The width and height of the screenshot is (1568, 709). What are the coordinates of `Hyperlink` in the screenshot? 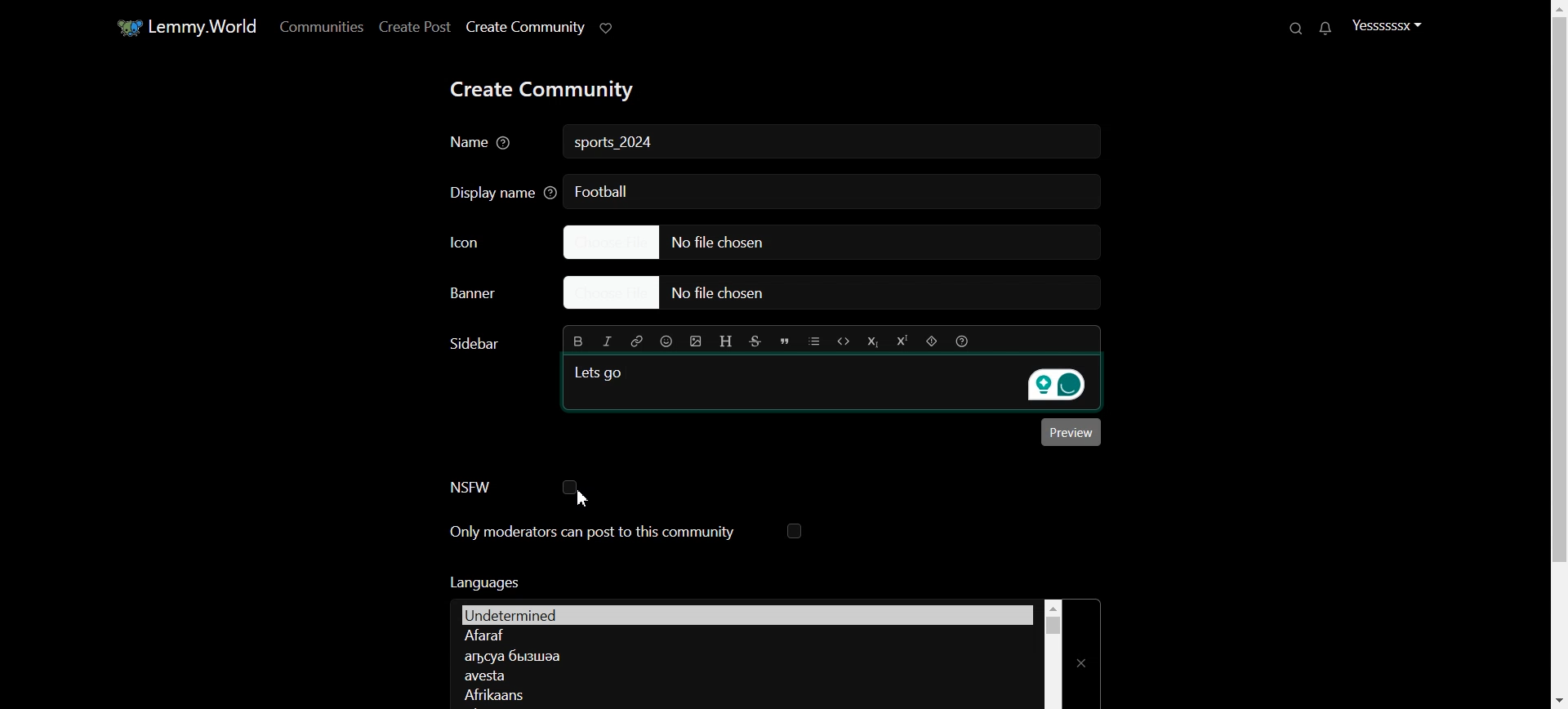 It's located at (635, 341).